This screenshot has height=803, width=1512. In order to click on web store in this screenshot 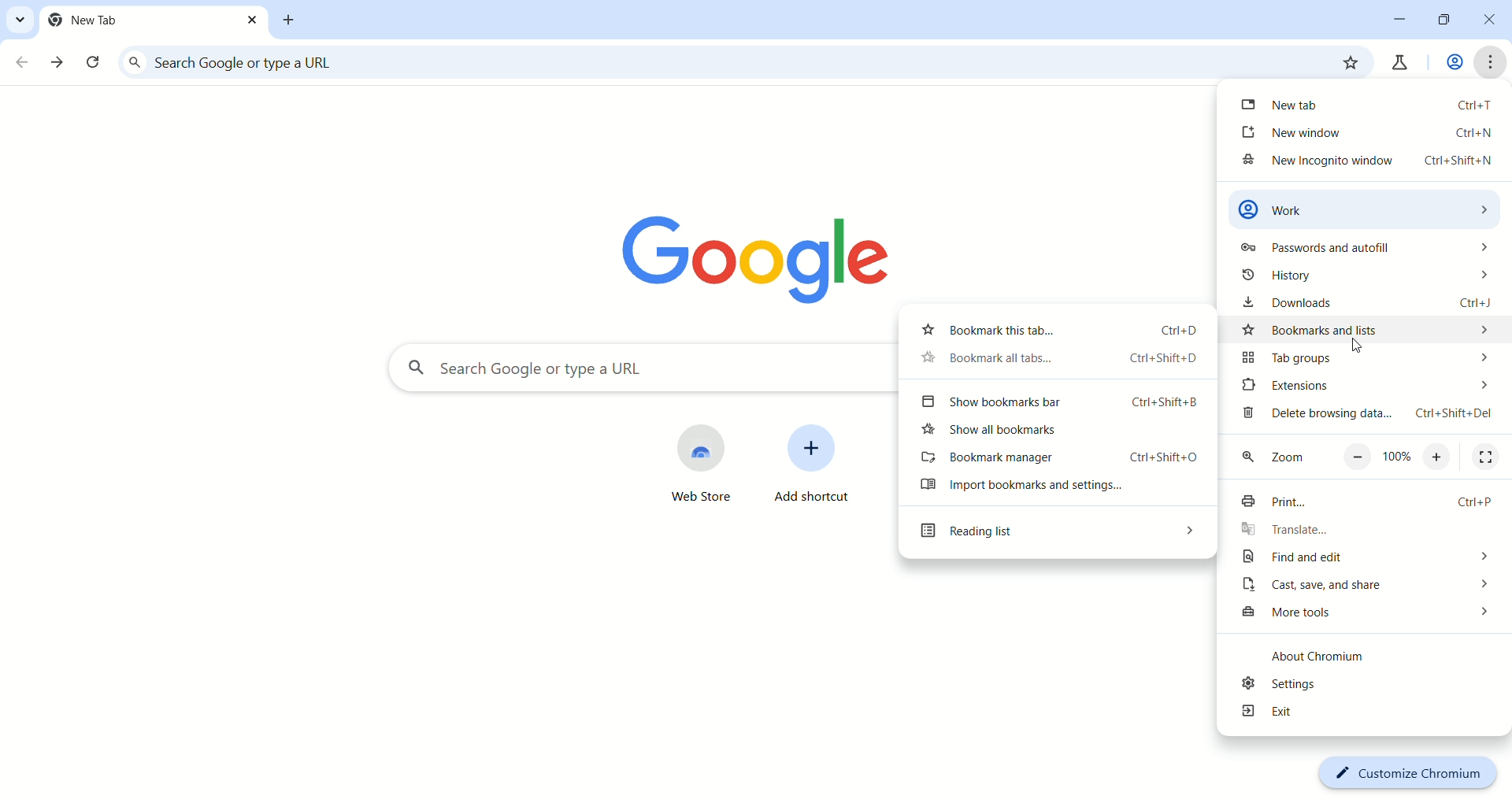, I will do `click(682, 465)`.